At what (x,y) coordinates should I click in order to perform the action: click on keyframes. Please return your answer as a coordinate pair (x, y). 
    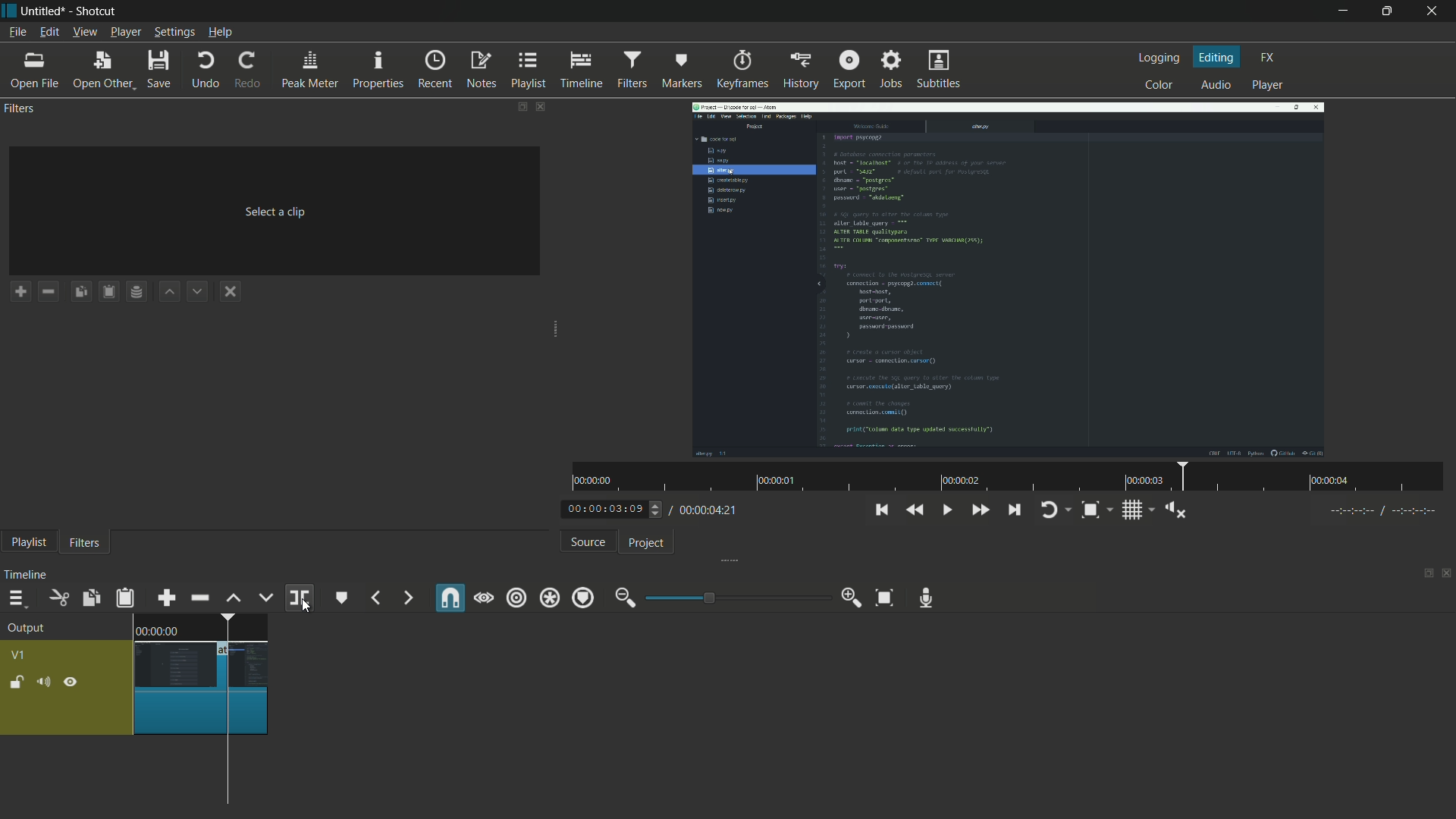
    Looking at the image, I should click on (742, 71).